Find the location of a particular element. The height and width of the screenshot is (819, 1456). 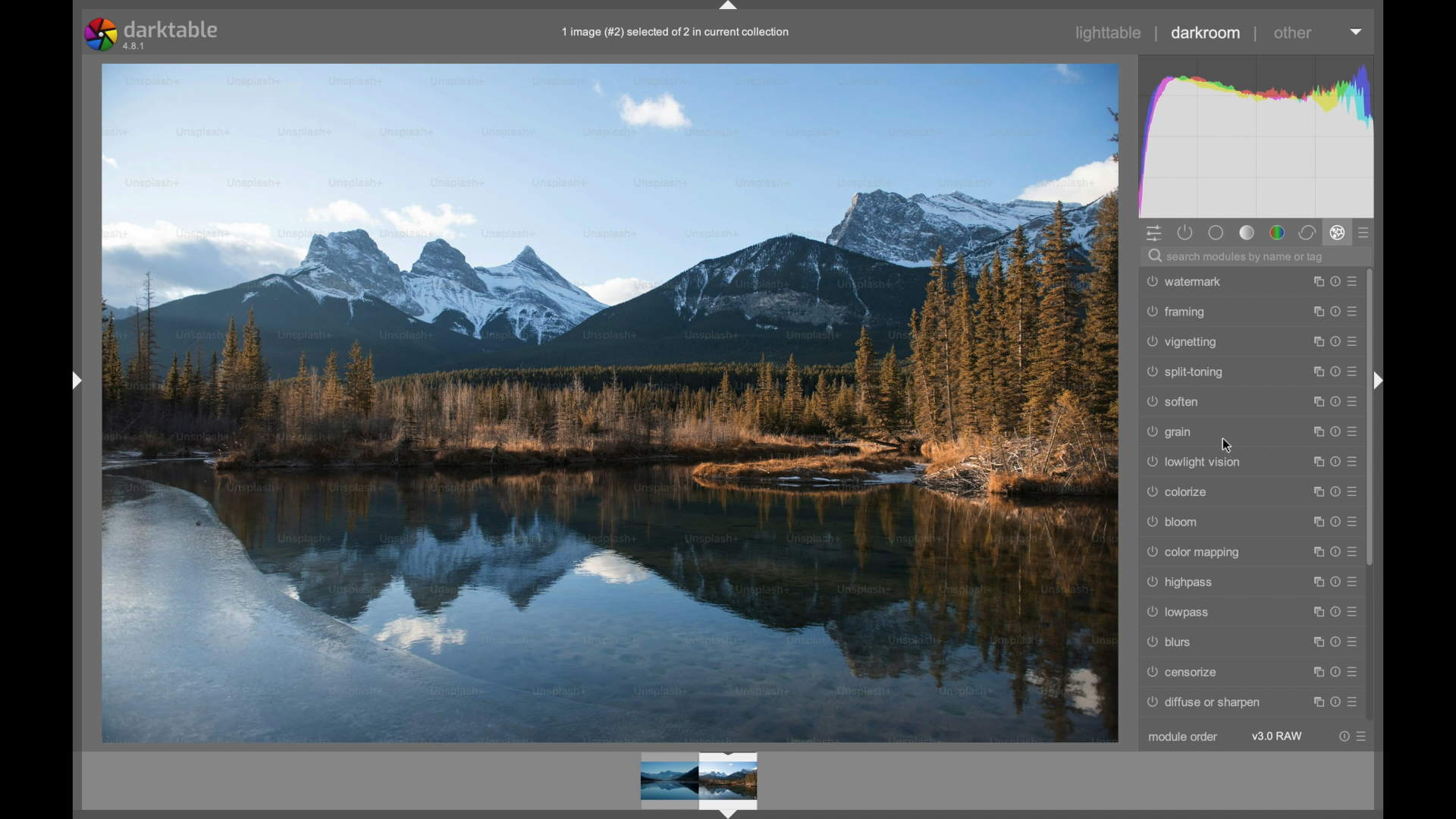

presets is located at coordinates (1357, 491).